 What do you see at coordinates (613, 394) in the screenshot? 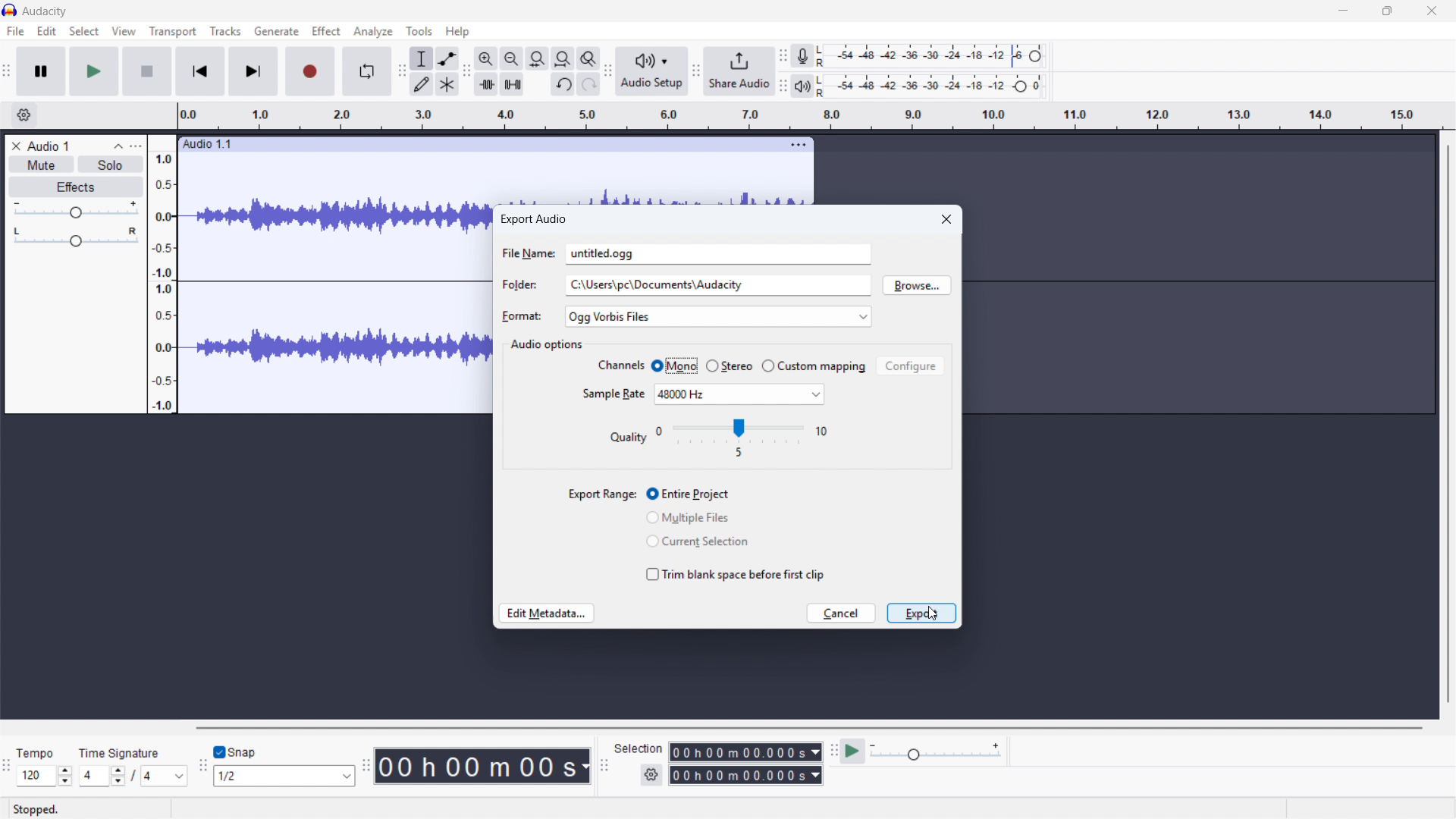
I see `sample rate` at bounding box center [613, 394].